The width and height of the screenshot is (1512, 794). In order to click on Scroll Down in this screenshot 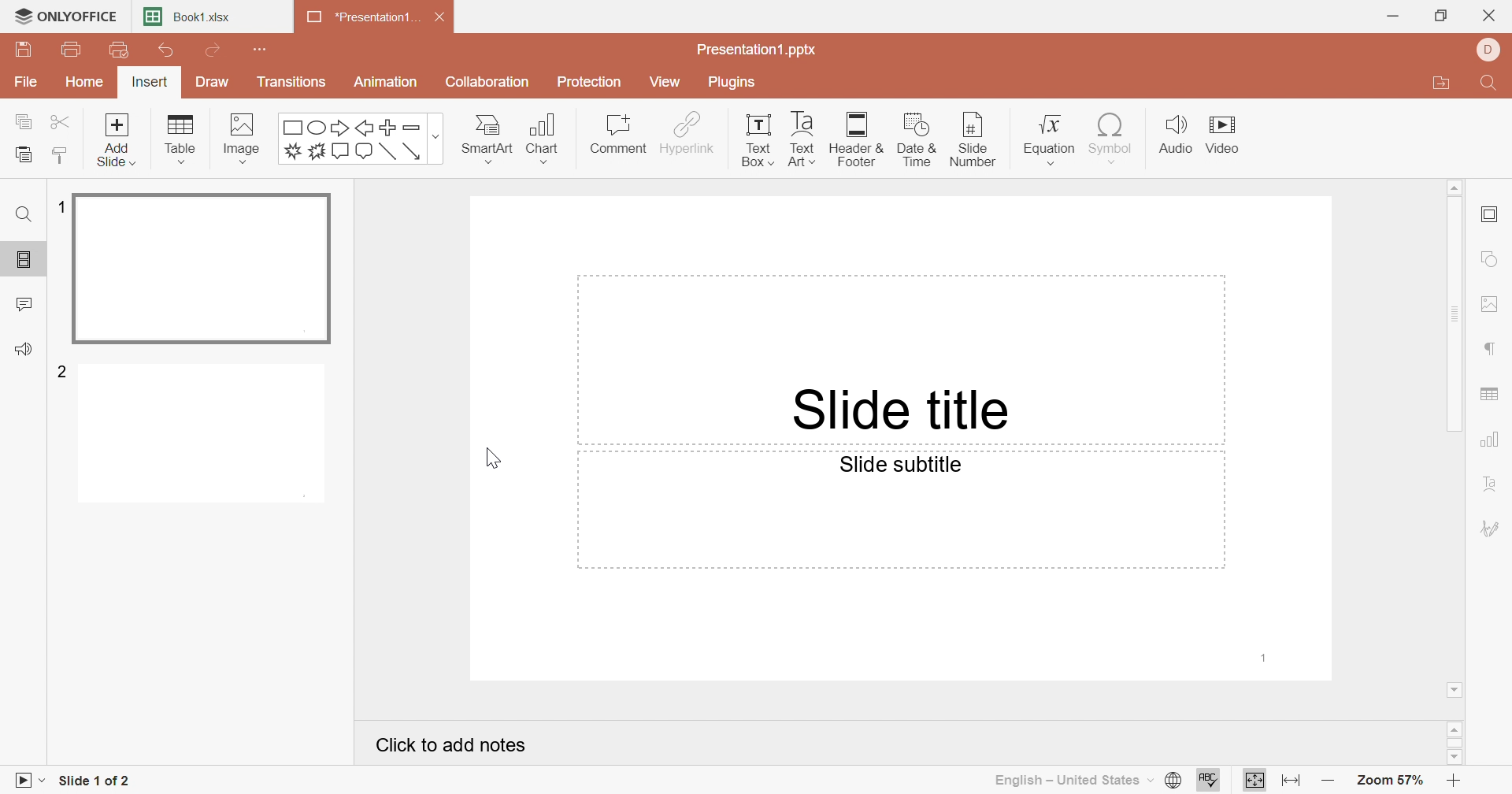, I will do `click(1456, 688)`.